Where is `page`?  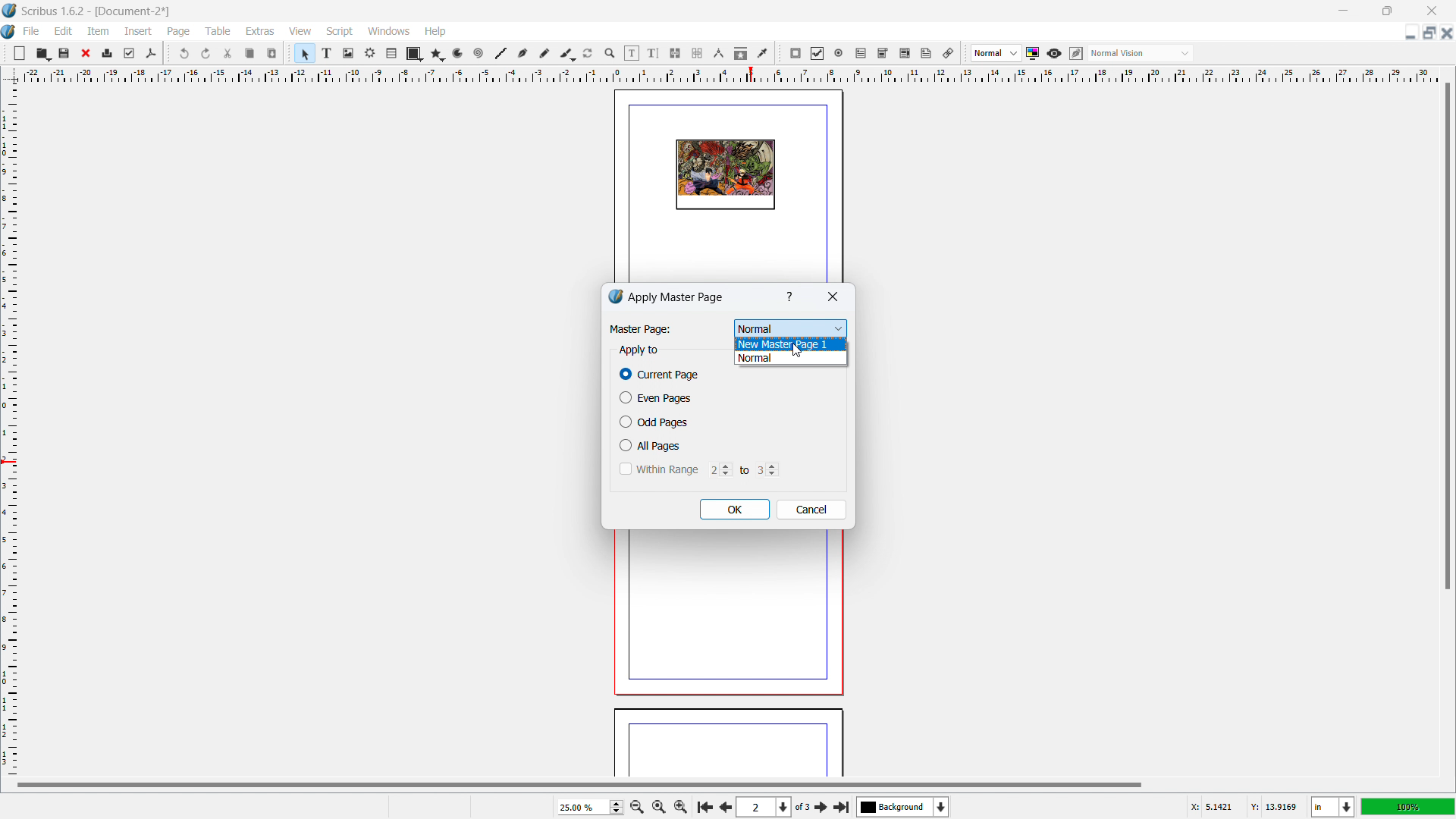 page is located at coordinates (723, 618).